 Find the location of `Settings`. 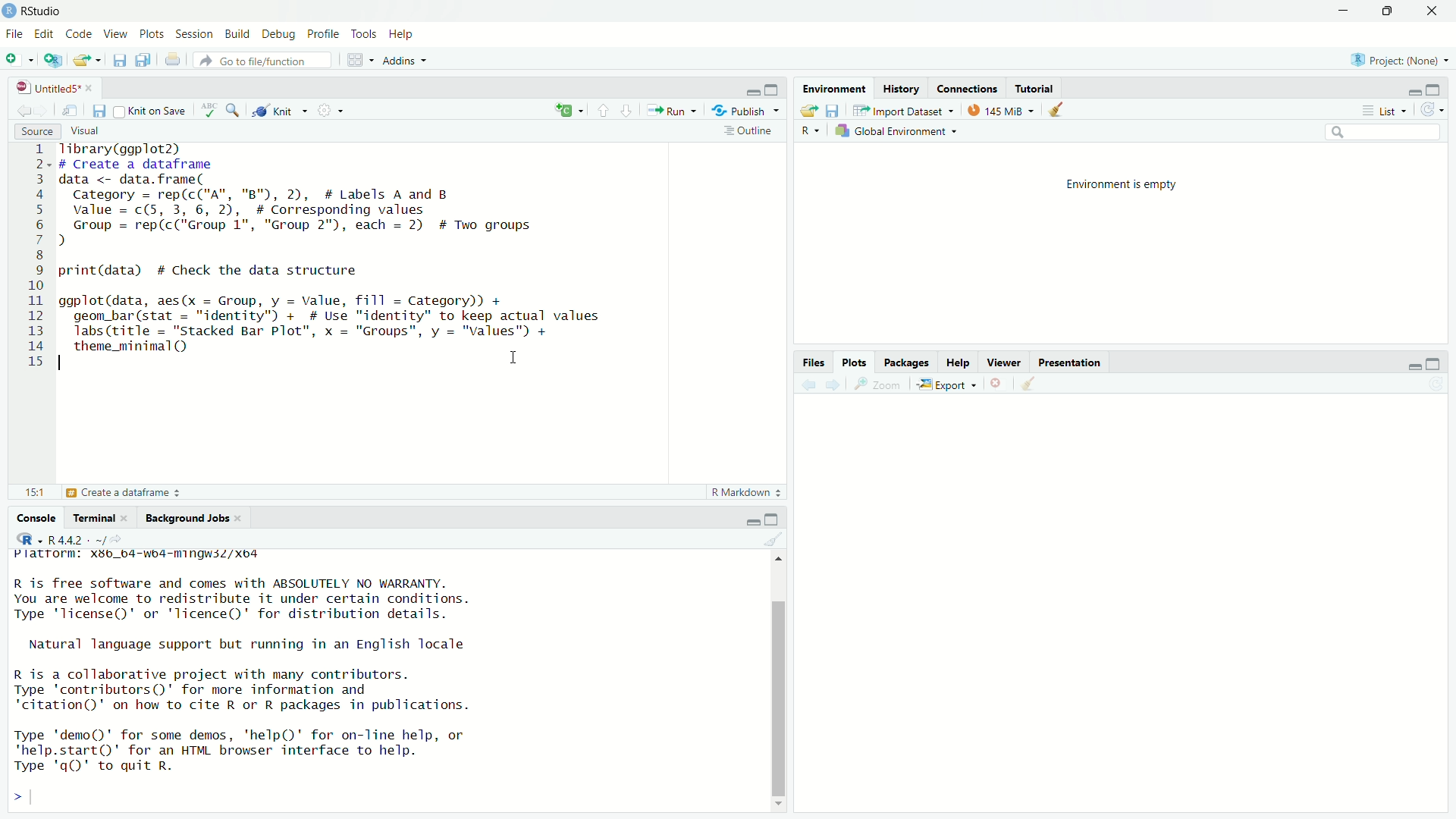

Settings is located at coordinates (331, 109).